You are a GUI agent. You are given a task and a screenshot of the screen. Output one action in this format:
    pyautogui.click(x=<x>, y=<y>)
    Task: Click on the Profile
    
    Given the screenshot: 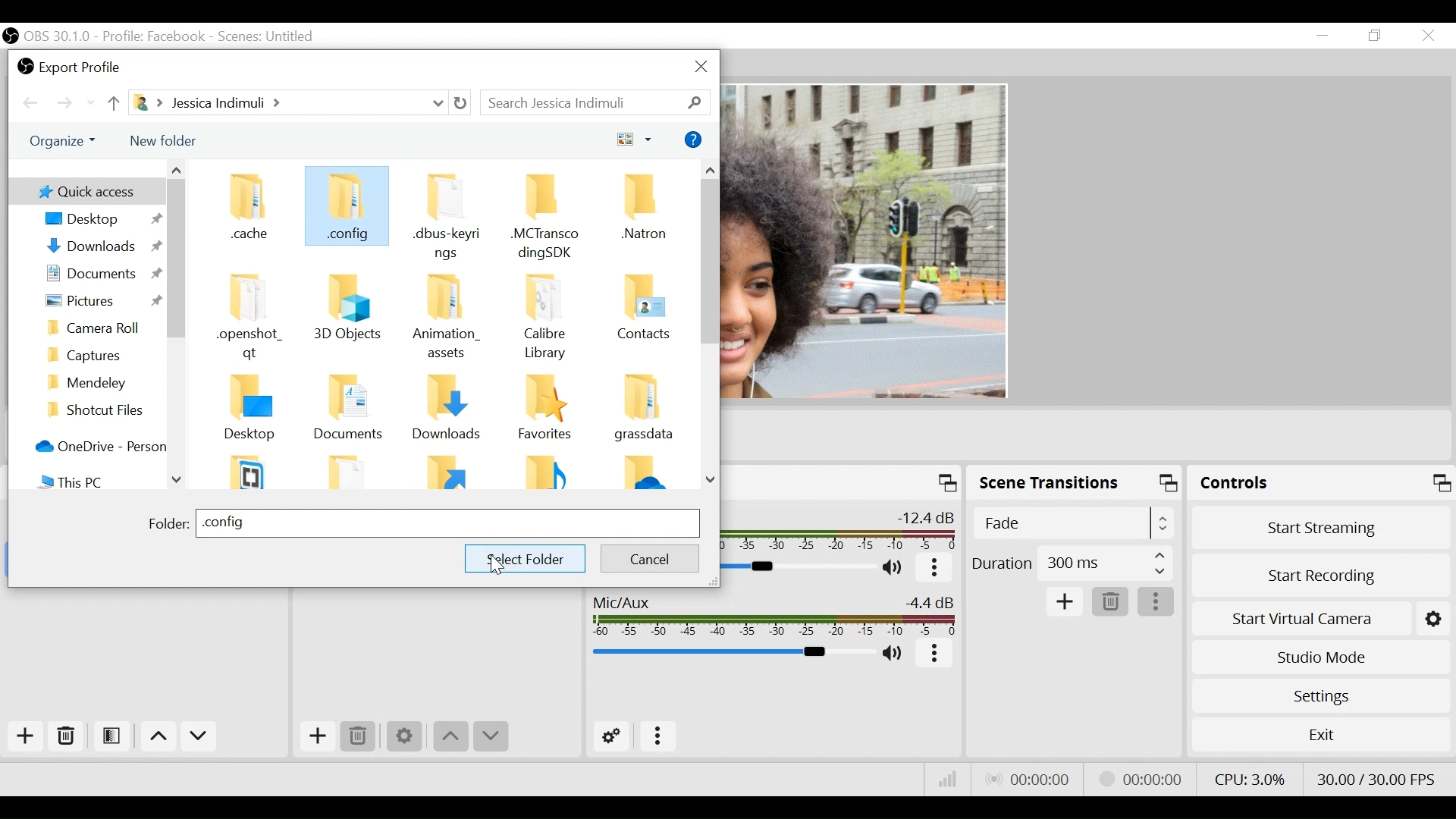 What is the action you would take?
    pyautogui.click(x=155, y=36)
    